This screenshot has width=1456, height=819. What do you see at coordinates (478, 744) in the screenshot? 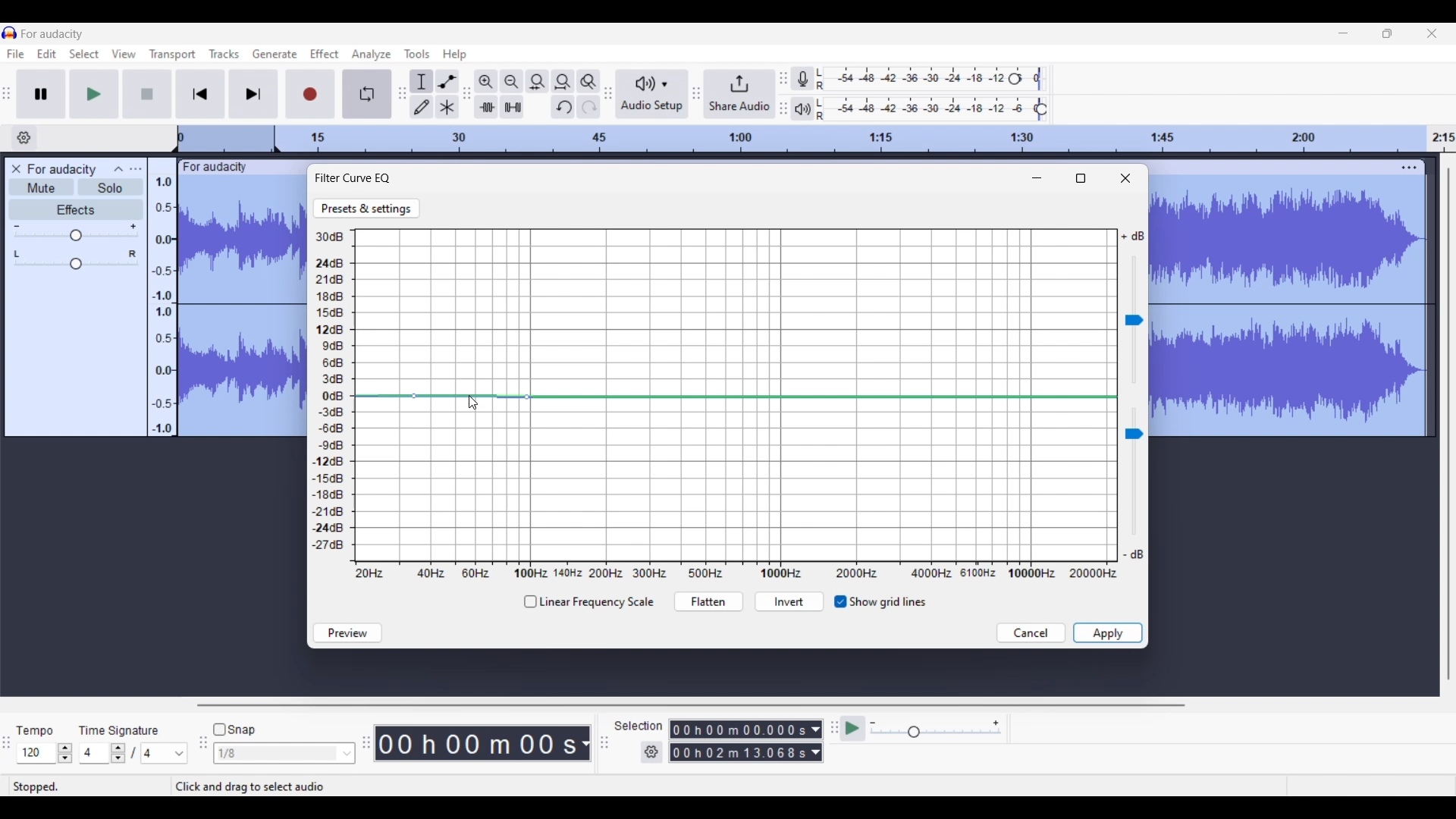
I see `Duration of recorded audio` at bounding box center [478, 744].